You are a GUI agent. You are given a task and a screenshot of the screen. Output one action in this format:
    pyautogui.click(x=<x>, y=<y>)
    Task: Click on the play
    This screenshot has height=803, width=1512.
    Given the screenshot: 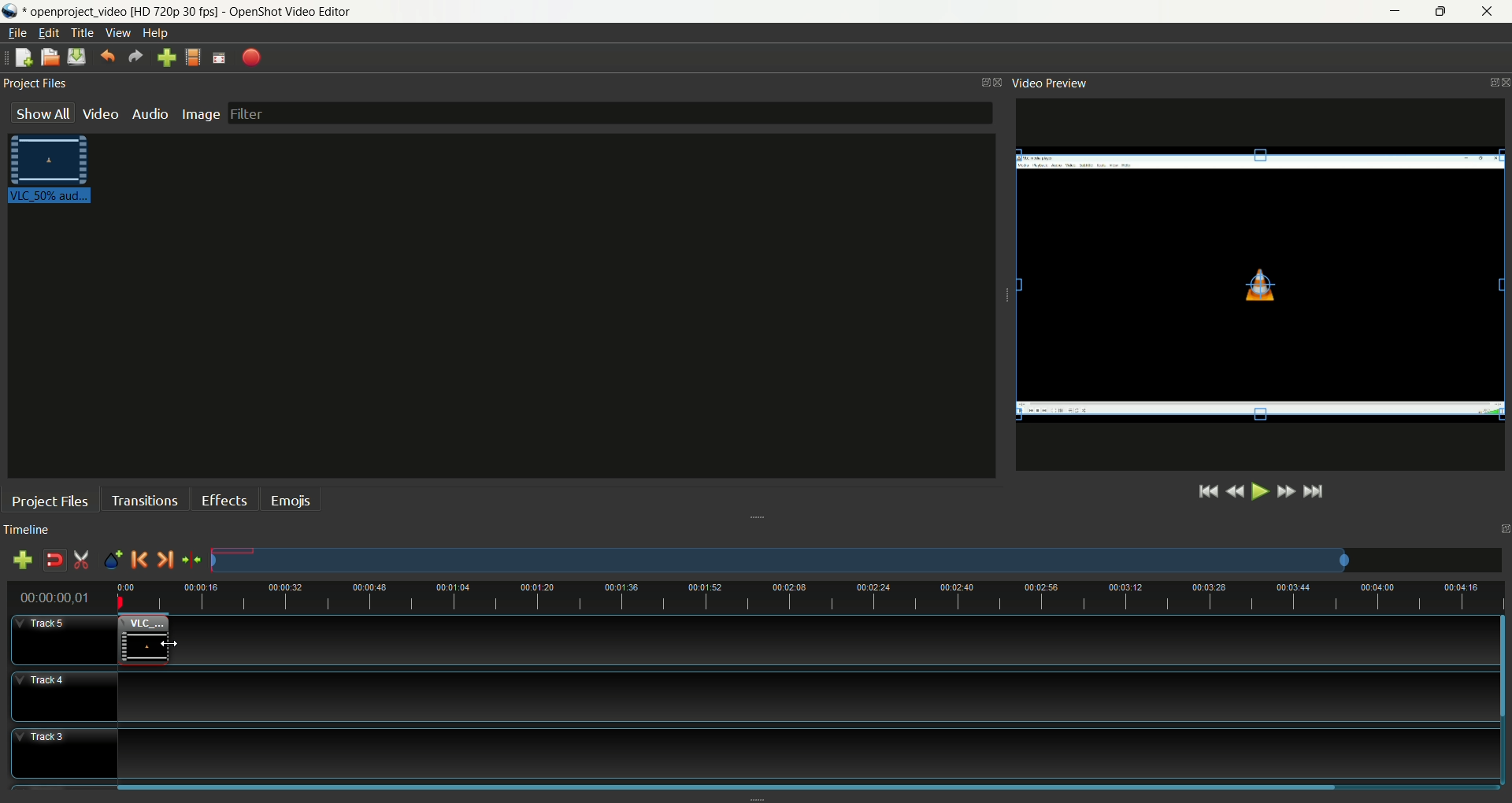 What is the action you would take?
    pyautogui.click(x=1259, y=492)
    